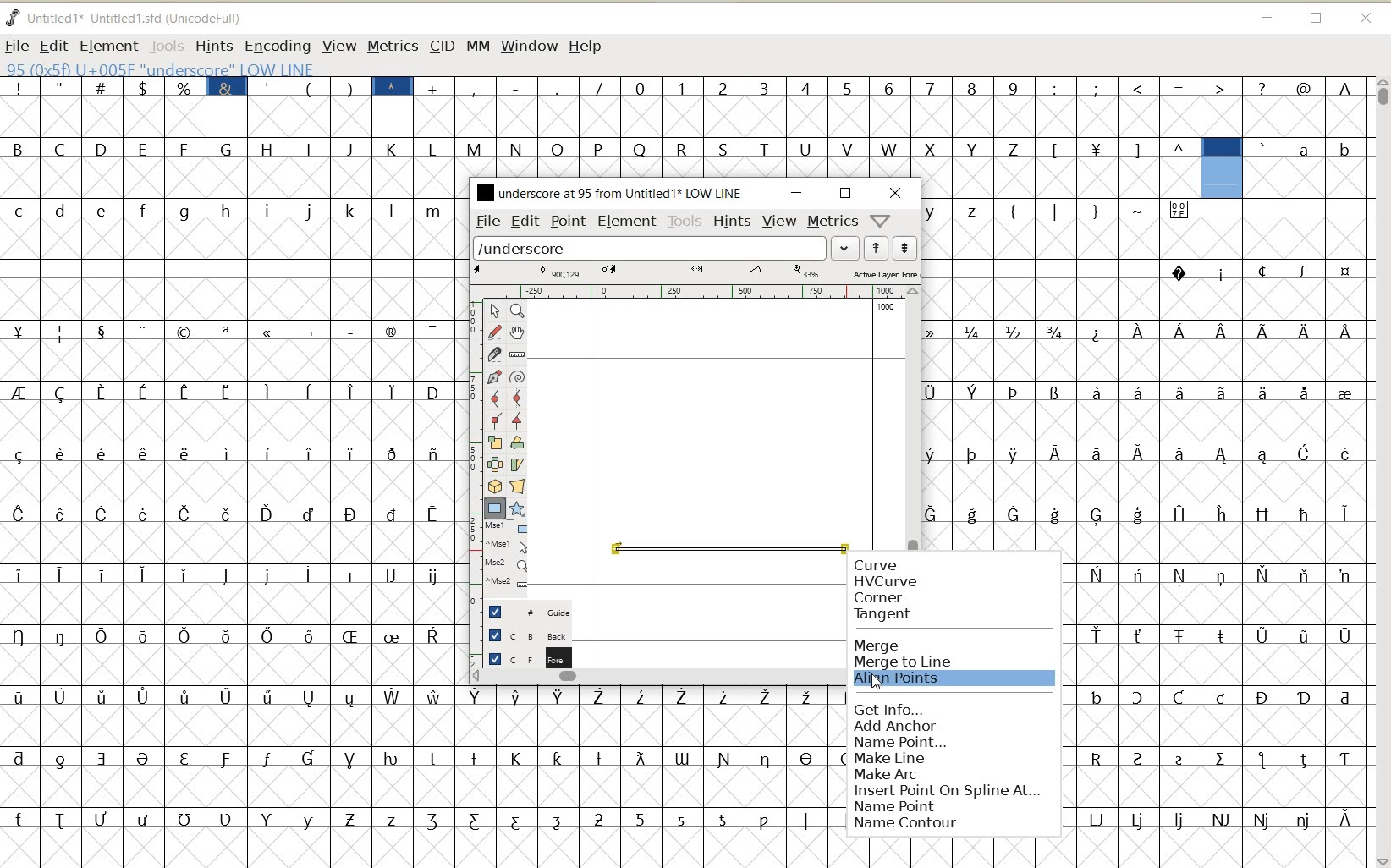  What do you see at coordinates (522, 656) in the screenshot?
I see `FOREGROUND` at bounding box center [522, 656].